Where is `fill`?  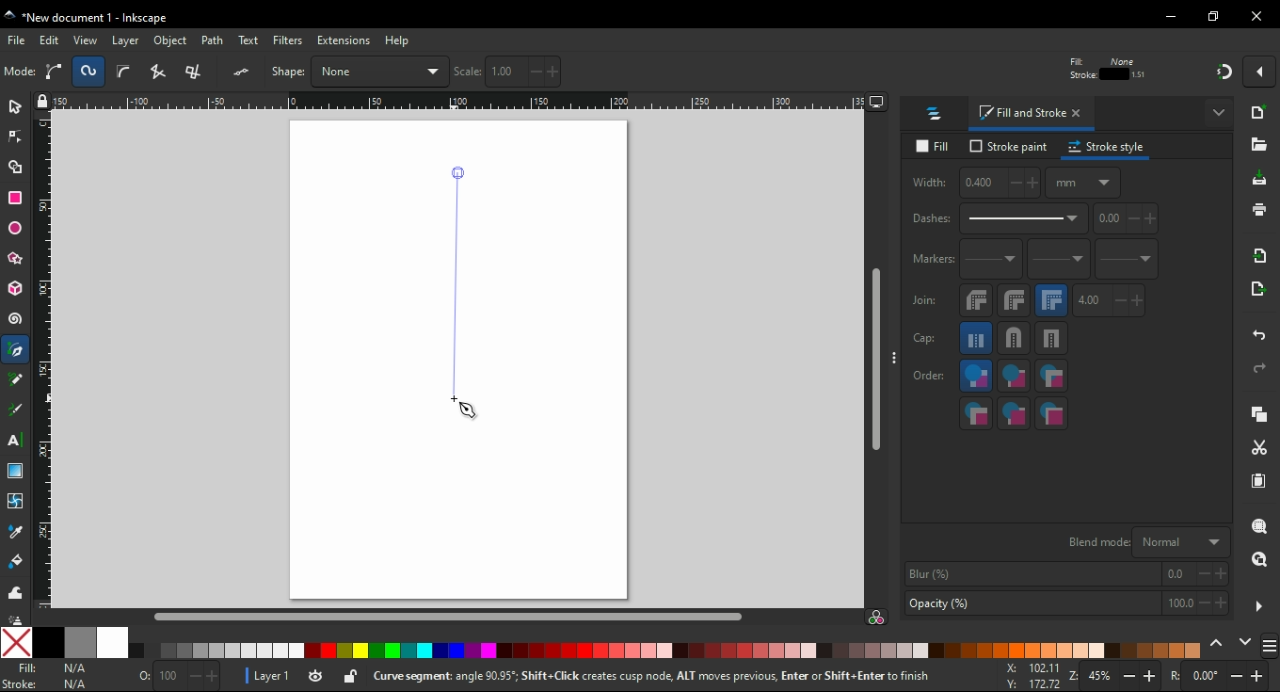 fill is located at coordinates (936, 147).